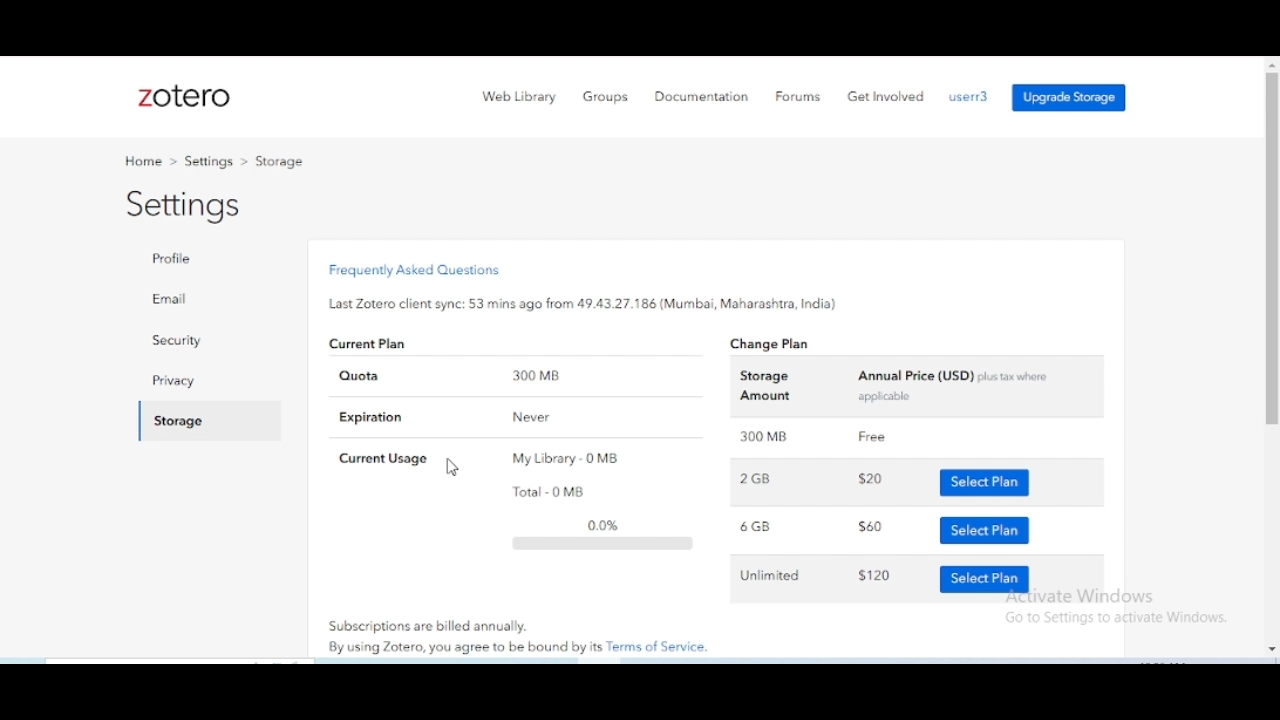  I want to click on quota, so click(363, 375).